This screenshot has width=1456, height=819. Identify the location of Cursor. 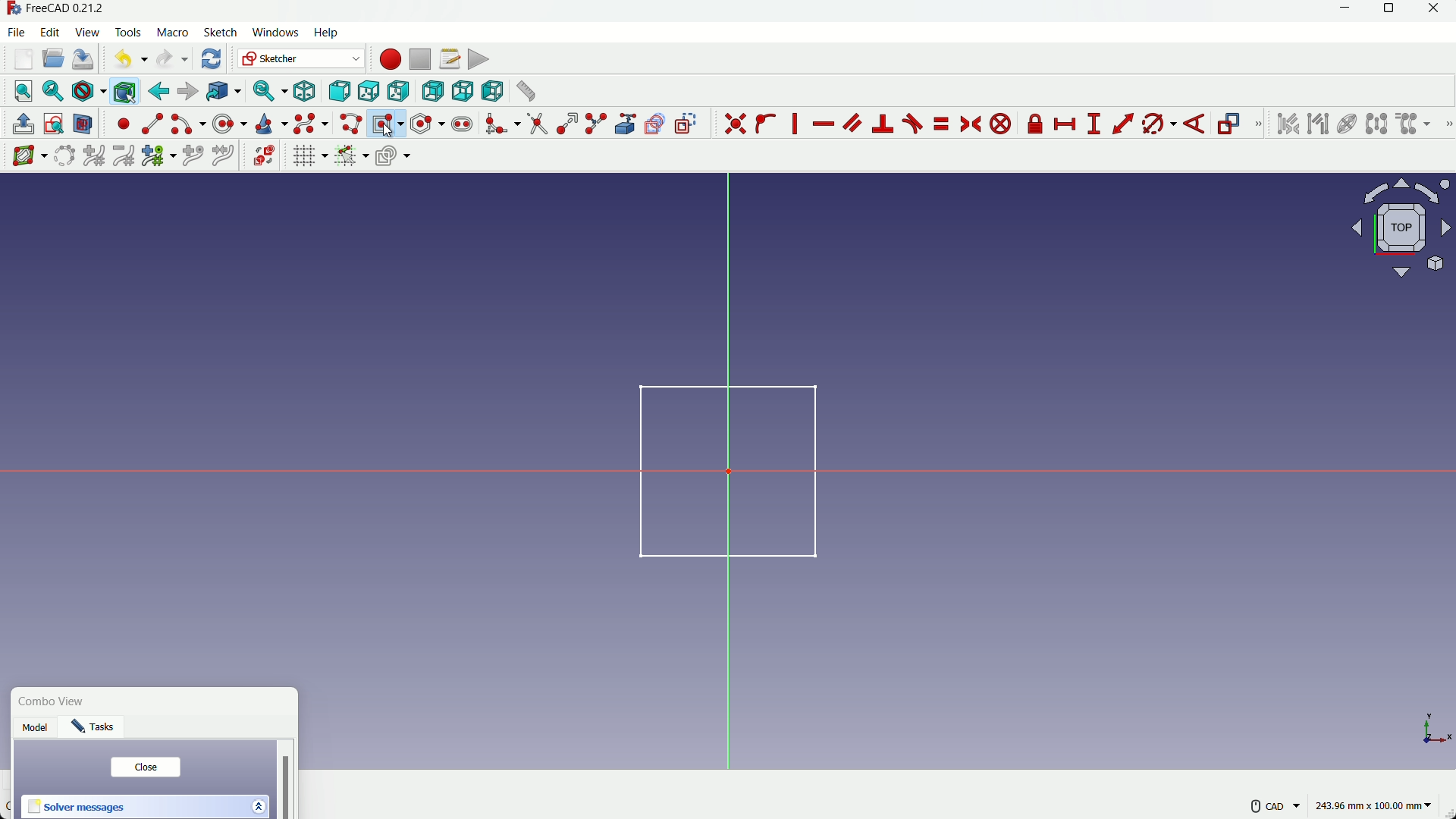
(389, 132).